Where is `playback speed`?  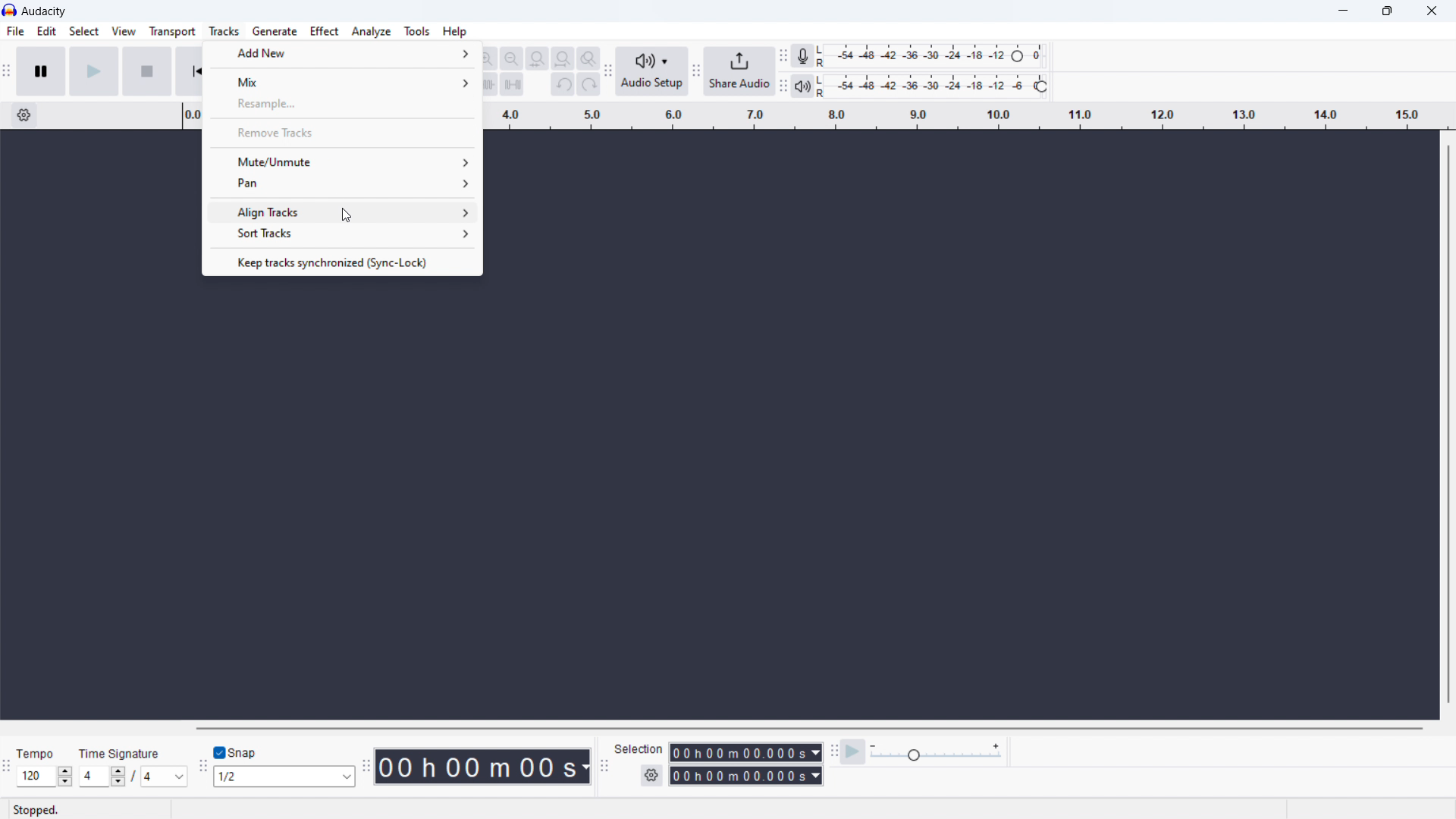
playback speed is located at coordinates (937, 752).